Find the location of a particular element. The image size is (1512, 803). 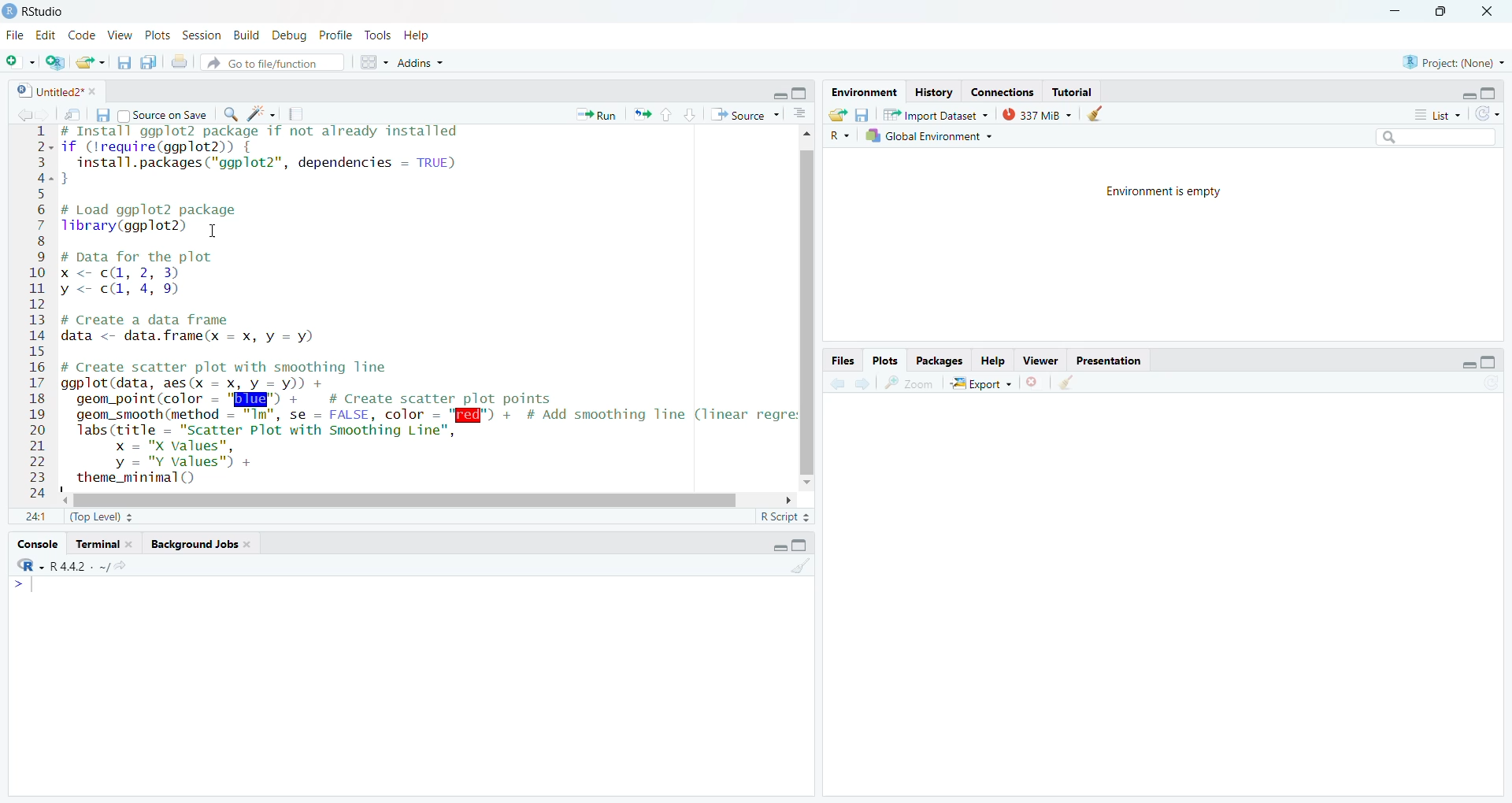

load workspace is located at coordinates (838, 115).